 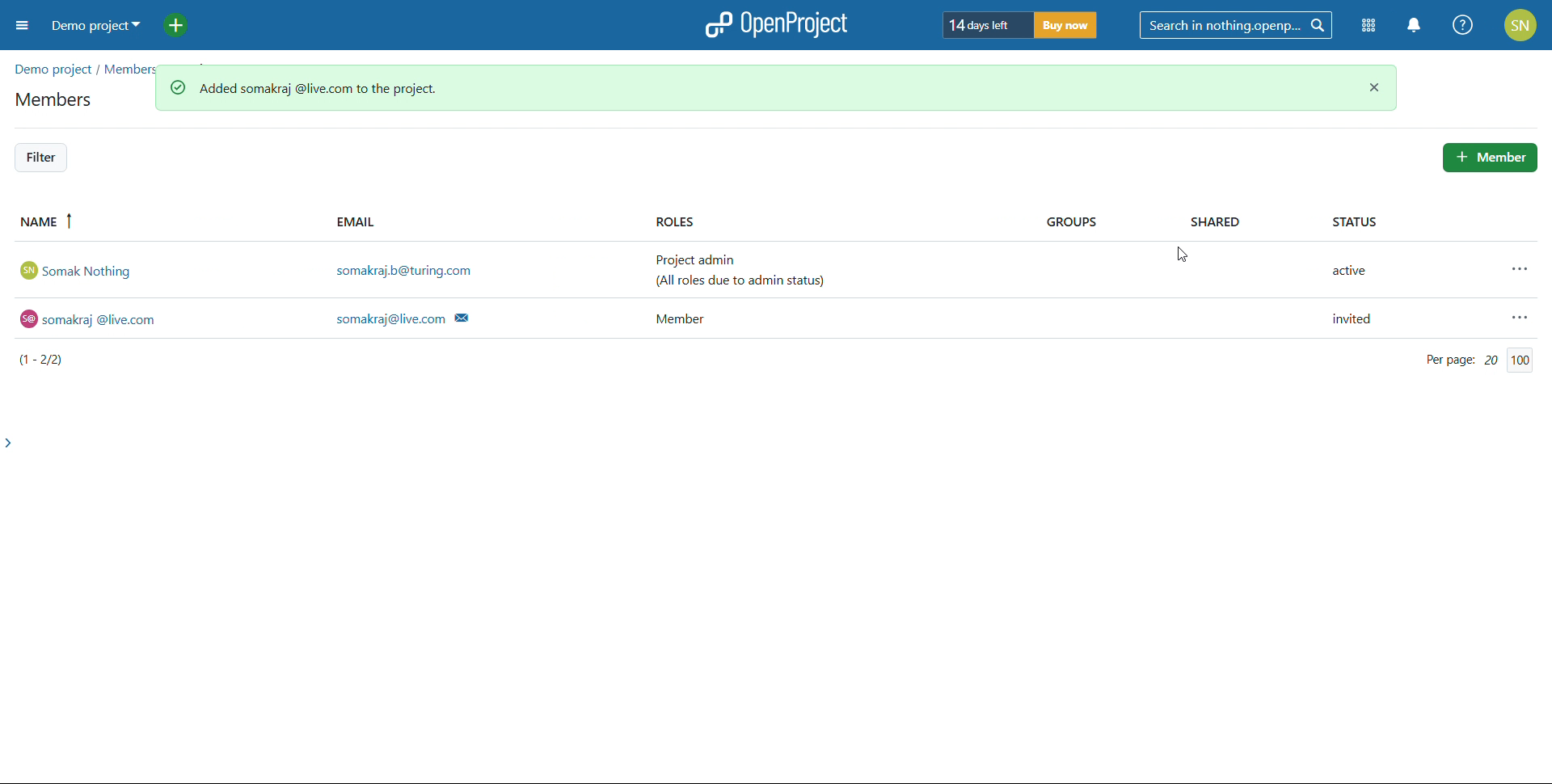 I want to click on somak Nothing, so click(x=83, y=269).